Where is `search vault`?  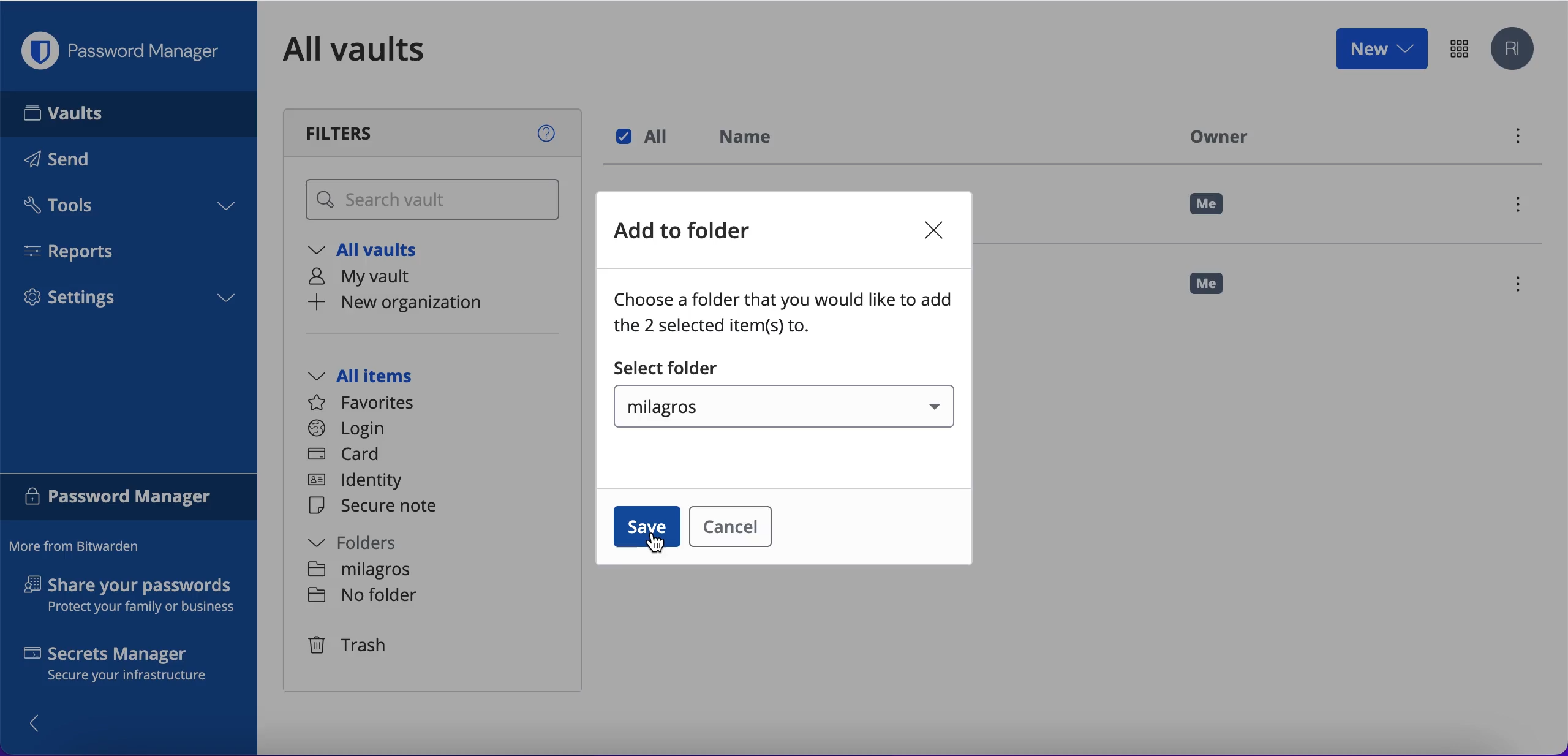
search vault is located at coordinates (435, 200).